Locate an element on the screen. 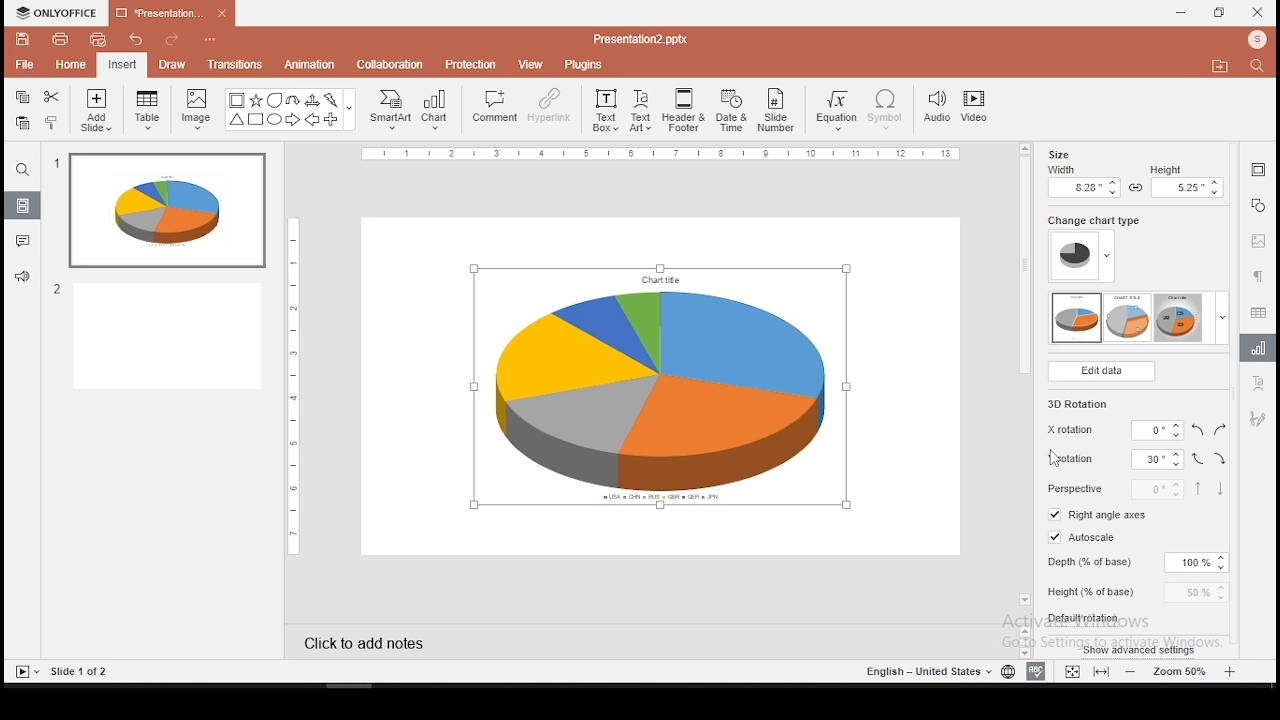 This screenshot has height=720, width=1280. more options is located at coordinates (209, 37).